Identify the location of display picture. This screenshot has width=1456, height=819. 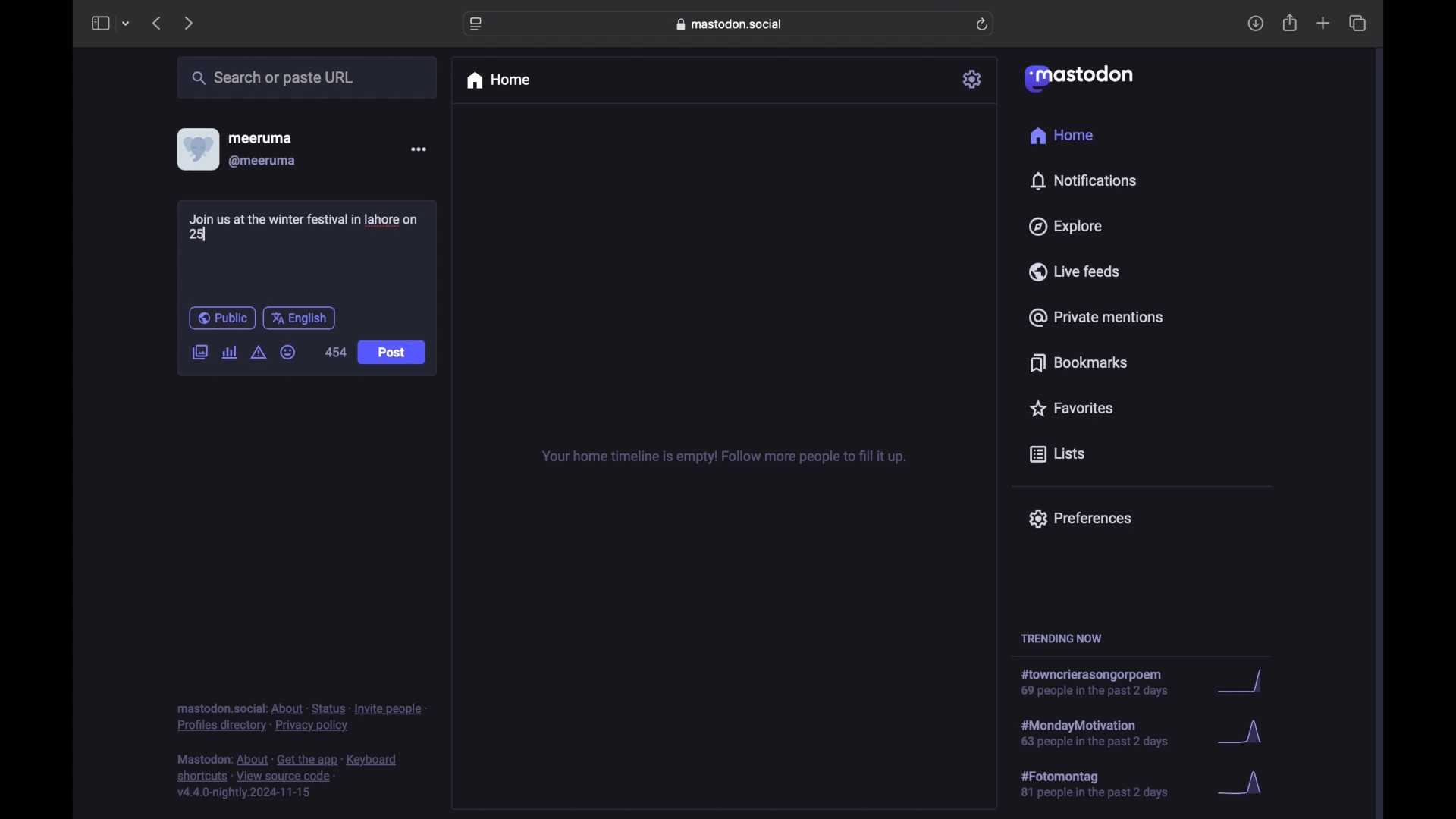
(196, 149).